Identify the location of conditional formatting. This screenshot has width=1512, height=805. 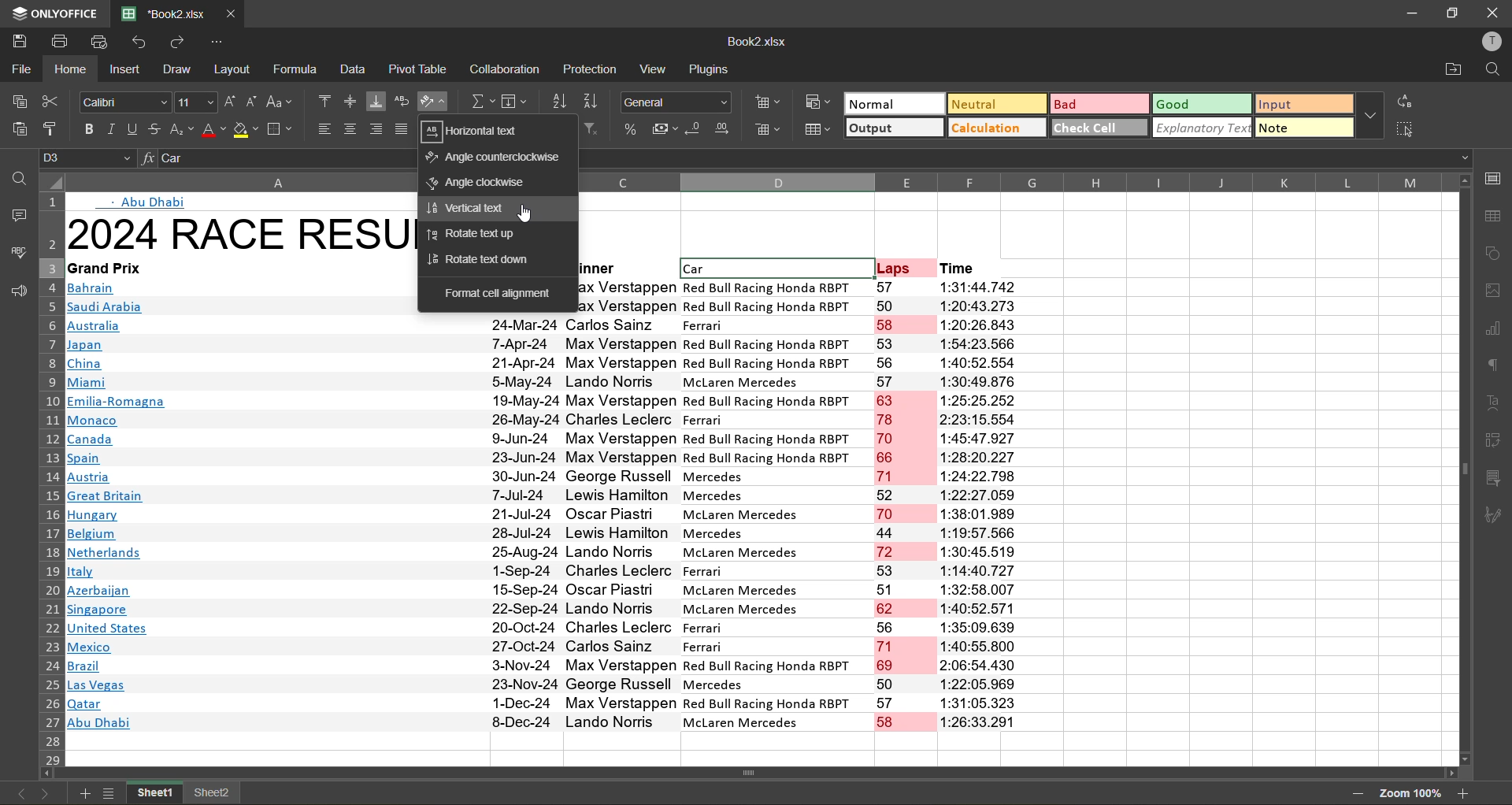
(821, 103).